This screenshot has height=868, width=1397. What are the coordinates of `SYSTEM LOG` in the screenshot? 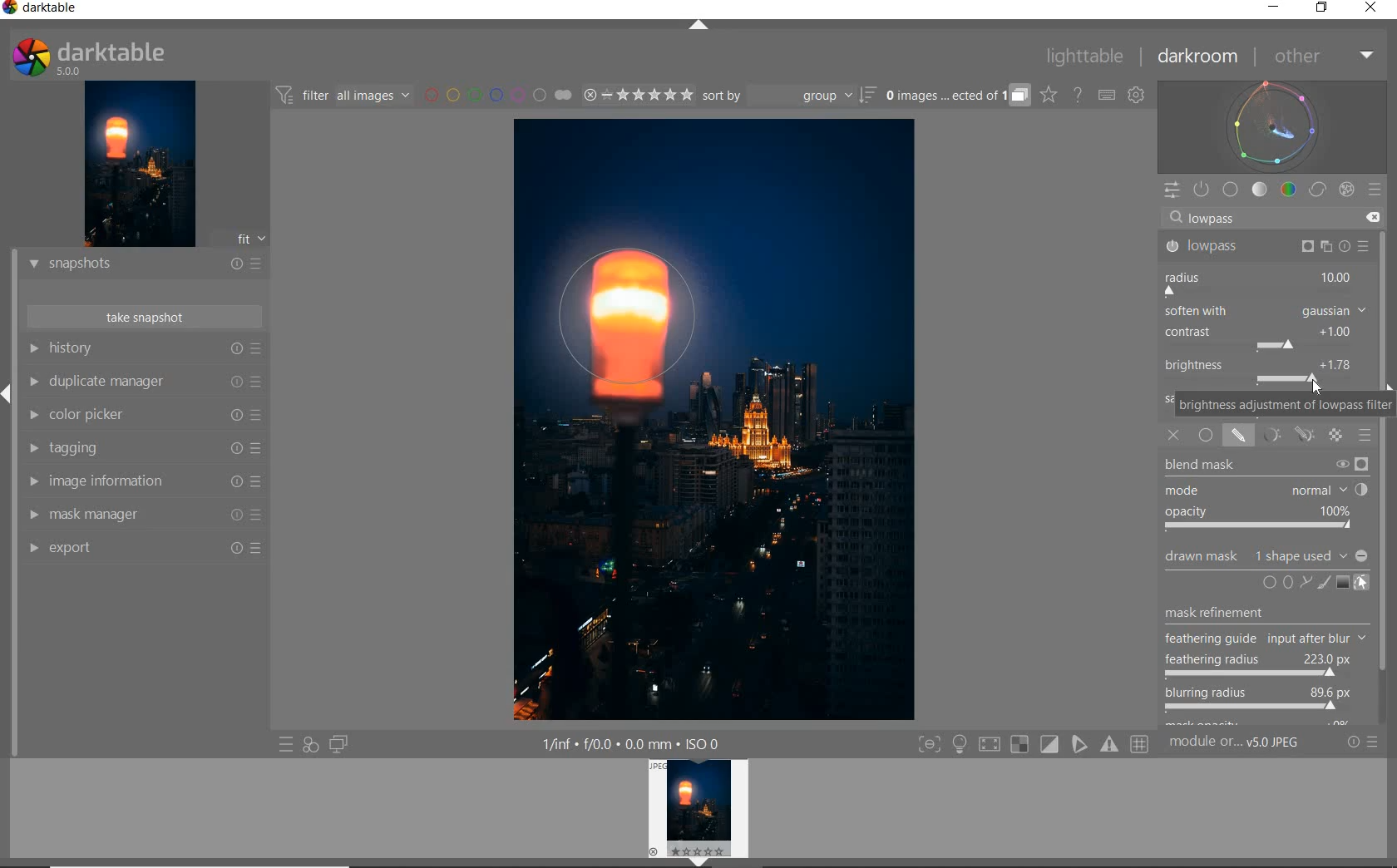 It's located at (106, 56).